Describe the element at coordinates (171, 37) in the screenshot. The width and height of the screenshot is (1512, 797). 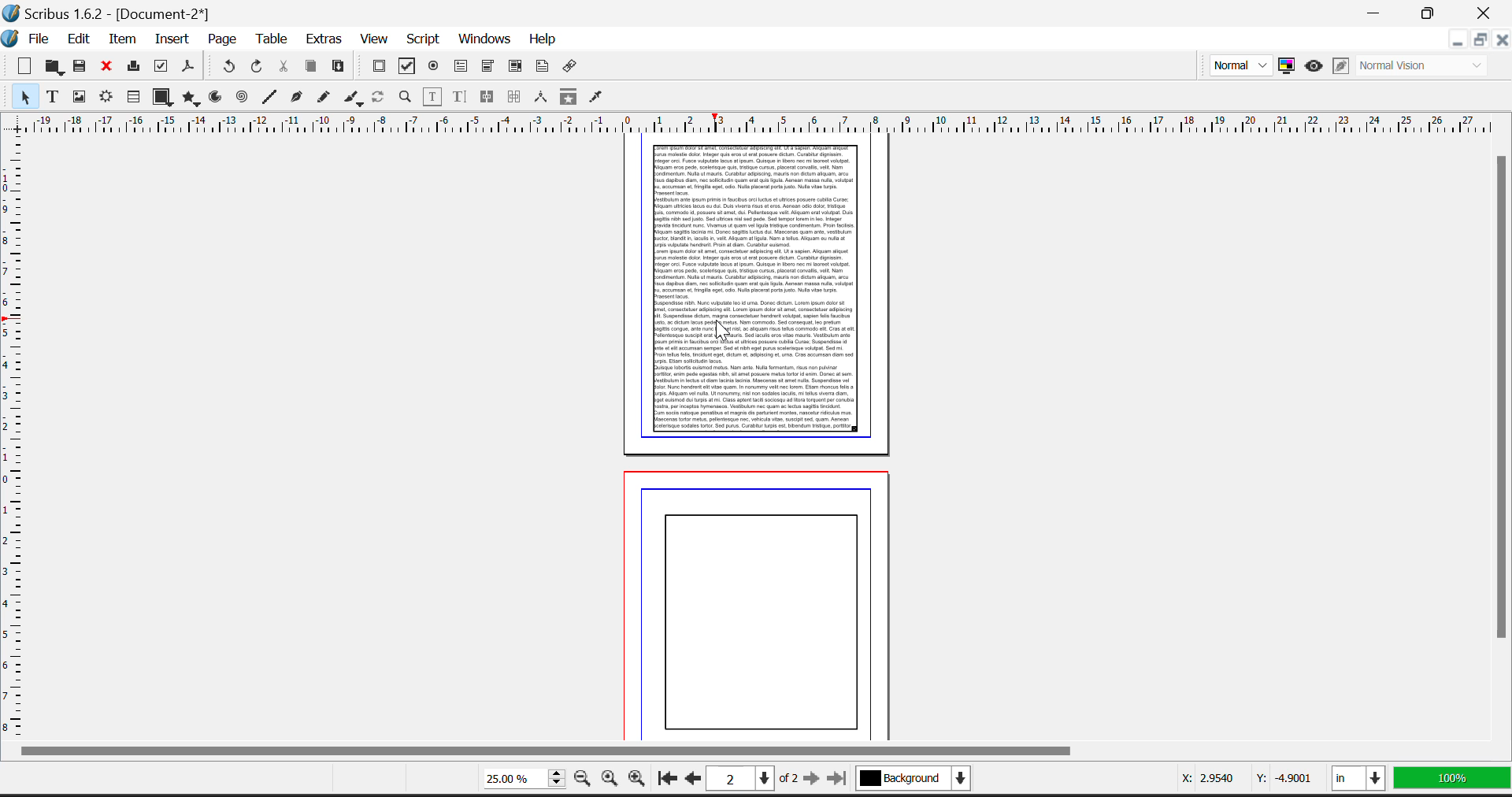
I see `Insert` at that location.